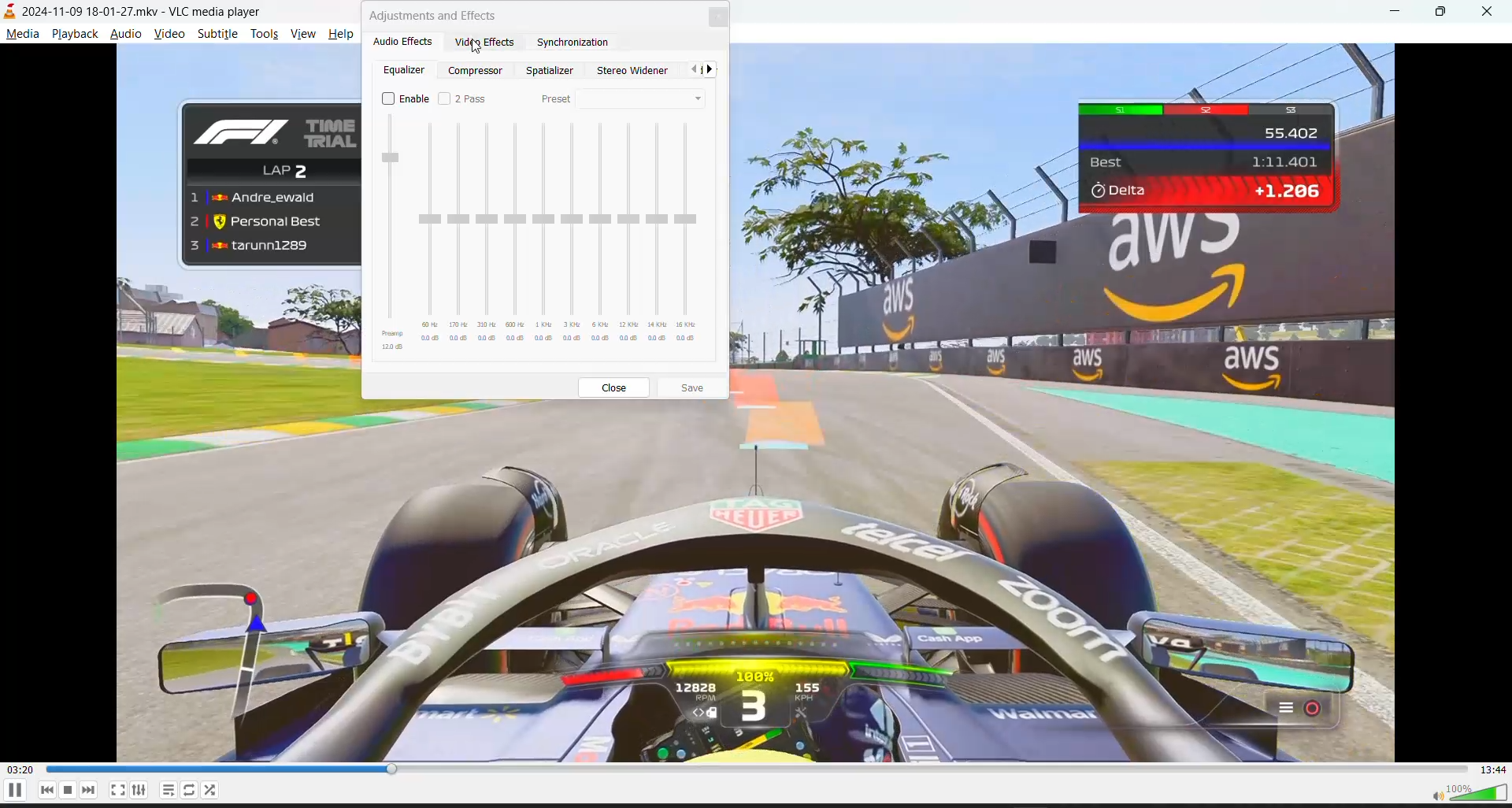  I want to click on slider, so click(573, 231).